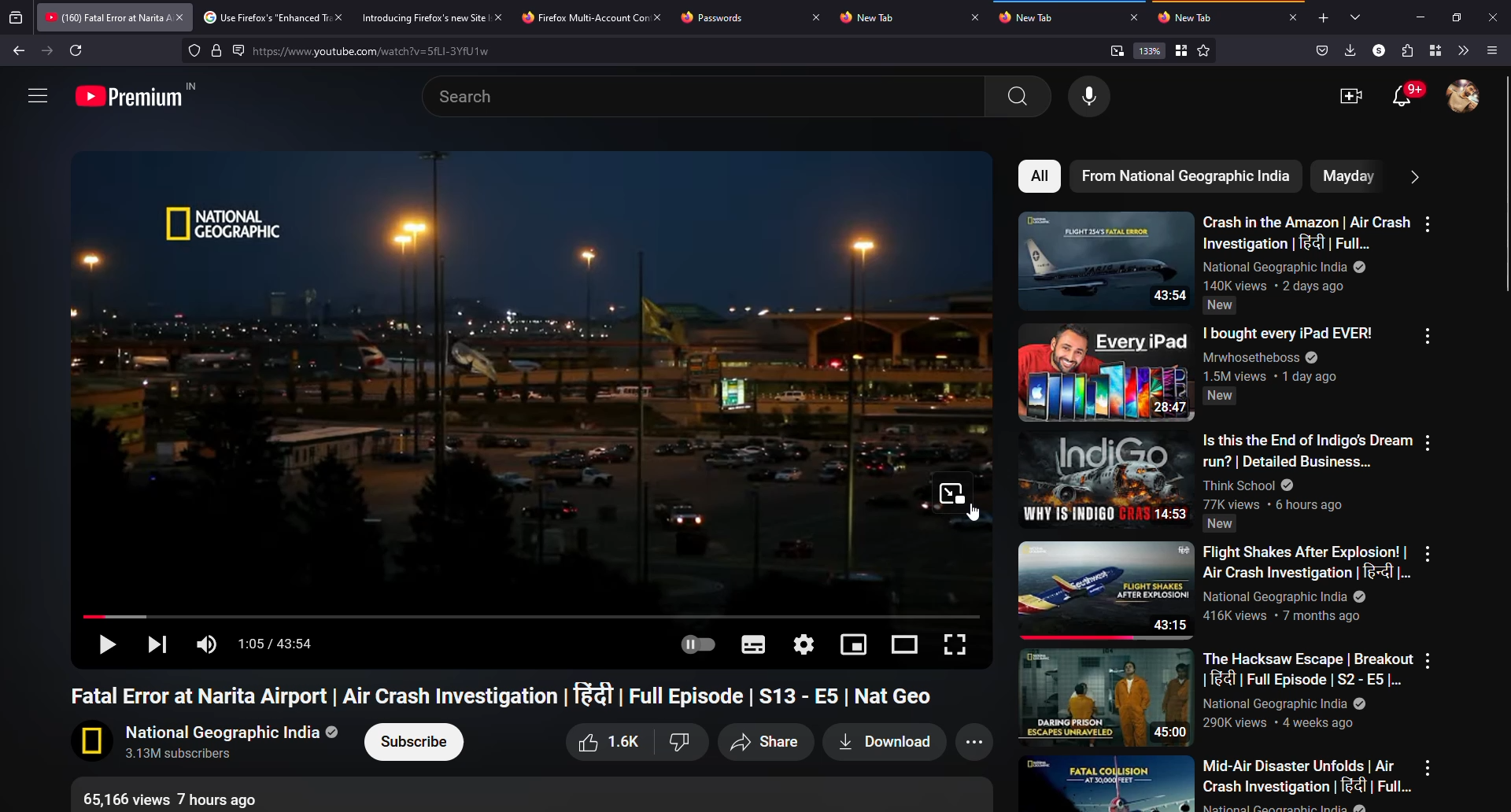 The width and height of the screenshot is (1511, 812). I want to click on Video title, so click(508, 695).